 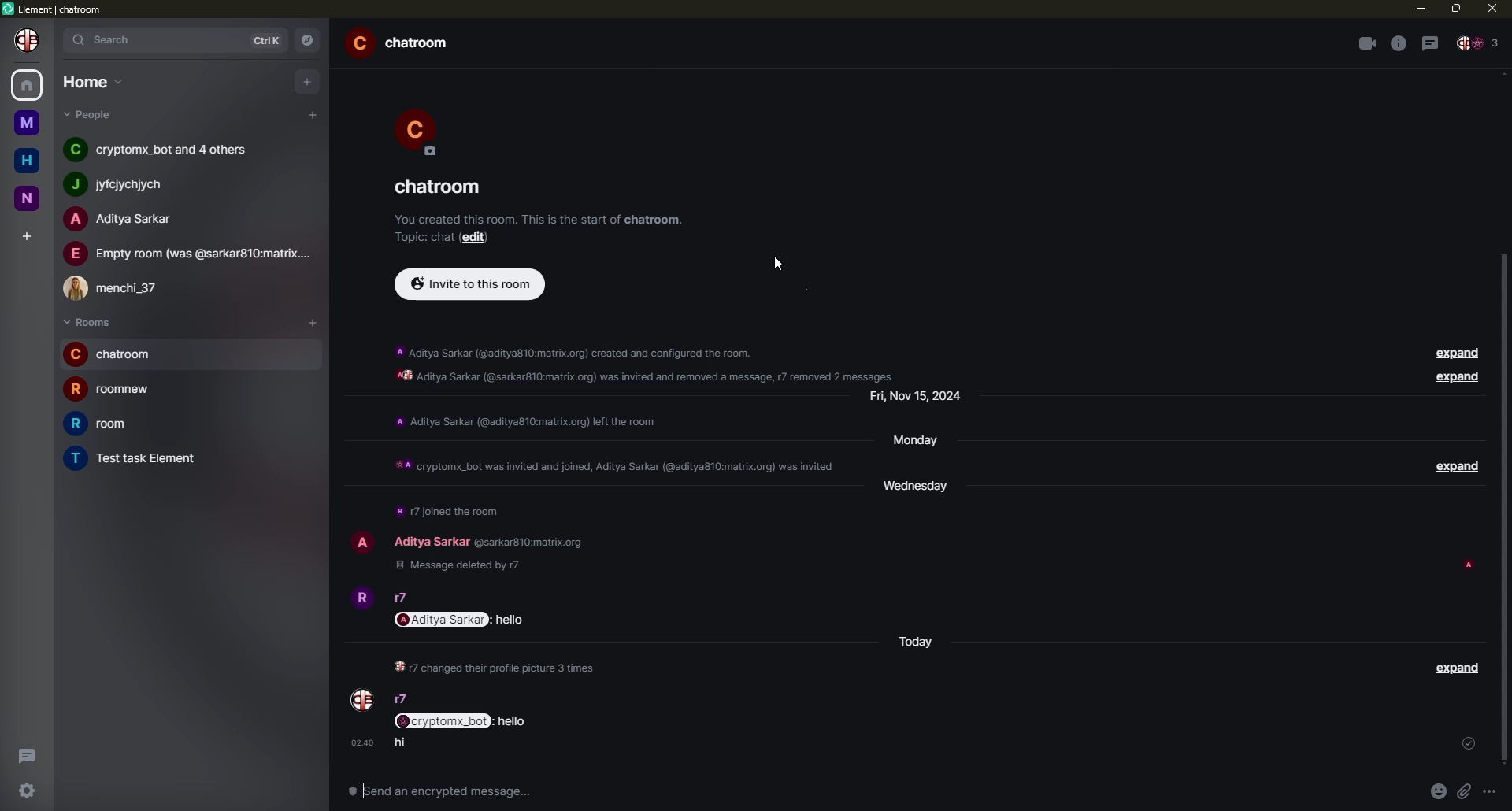 What do you see at coordinates (919, 442) in the screenshot?
I see `day` at bounding box center [919, 442].